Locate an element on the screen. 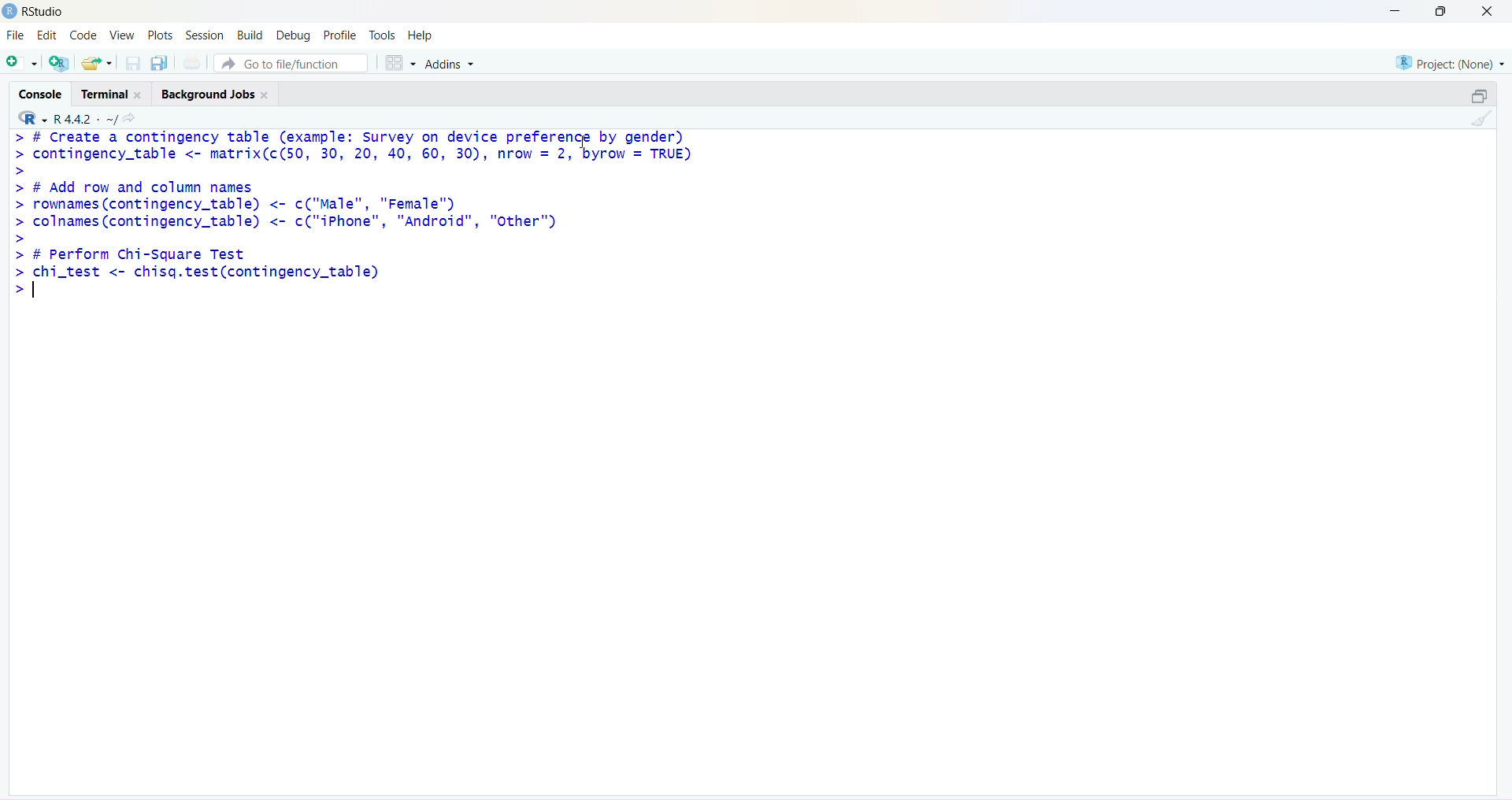  grid is located at coordinates (402, 64).